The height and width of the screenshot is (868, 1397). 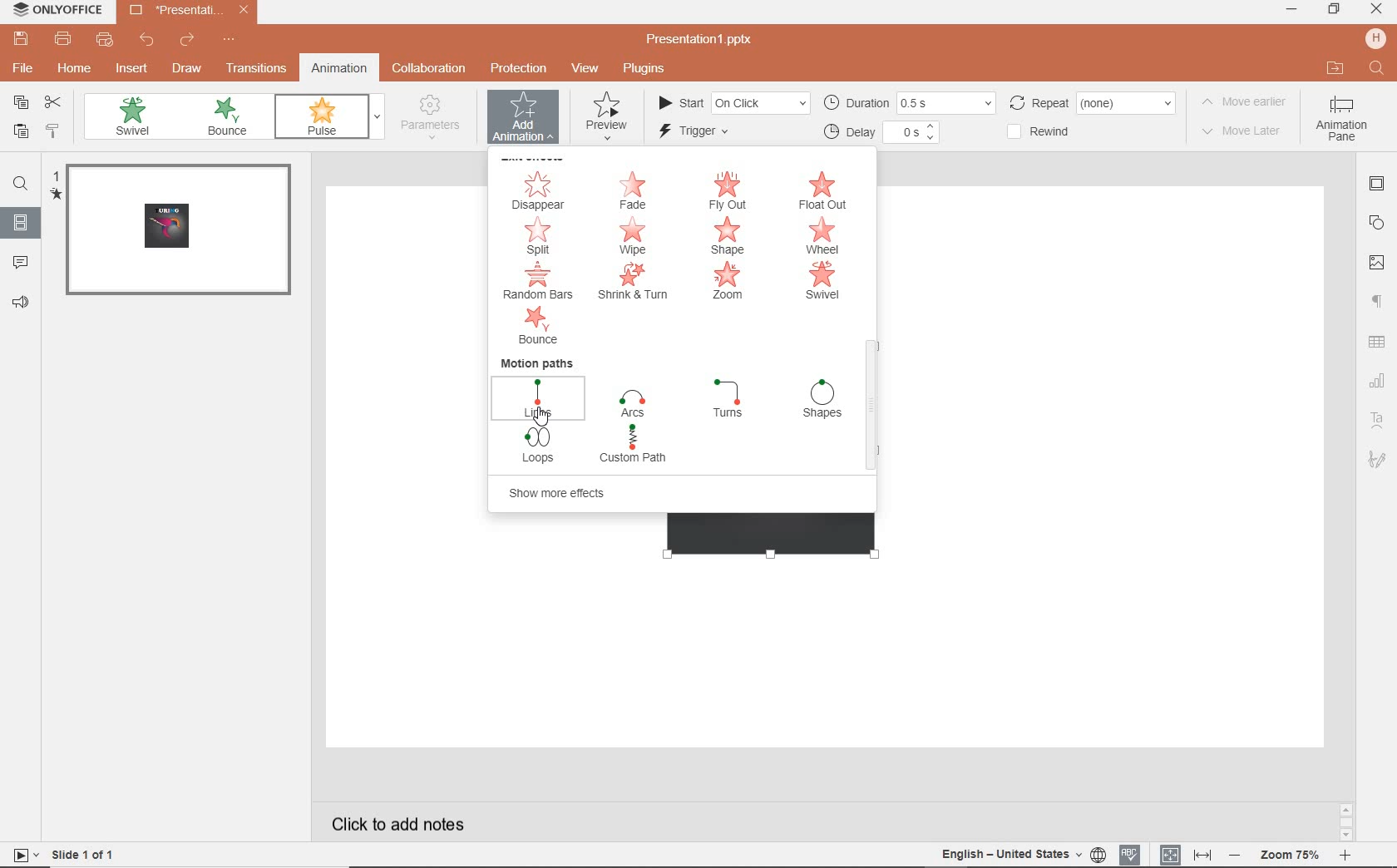 What do you see at coordinates (540, 447) in the screenshot?
I see `loops` at bounding box center [540, 447].